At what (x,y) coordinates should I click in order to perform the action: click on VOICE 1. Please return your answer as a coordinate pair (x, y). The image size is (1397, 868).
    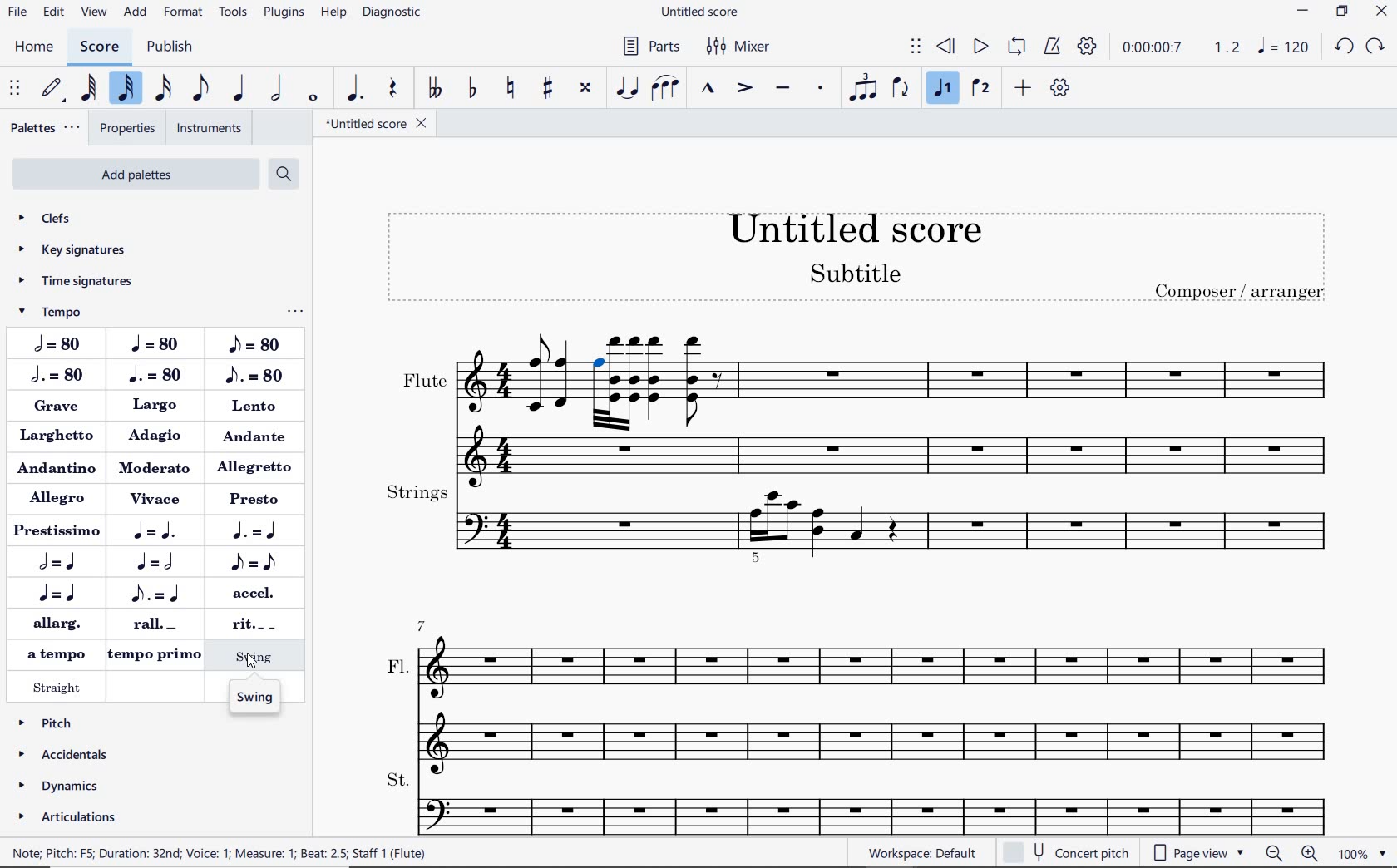
    Looking at the image, I should click on (941, 89).